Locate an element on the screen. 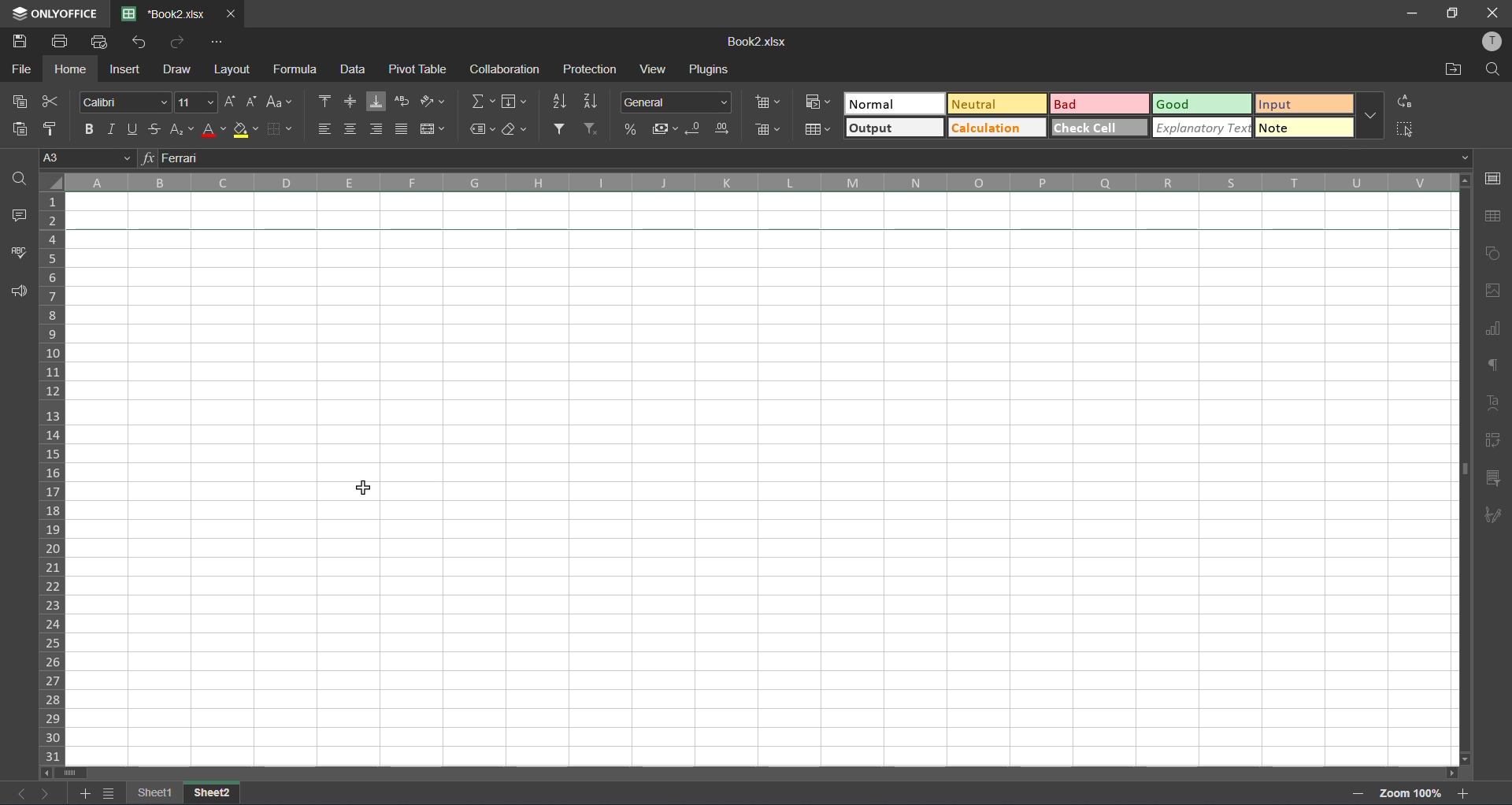 Image resolution: width=1512 pixels, height=805 pixels. feedback is located at coordinates (22, 292).